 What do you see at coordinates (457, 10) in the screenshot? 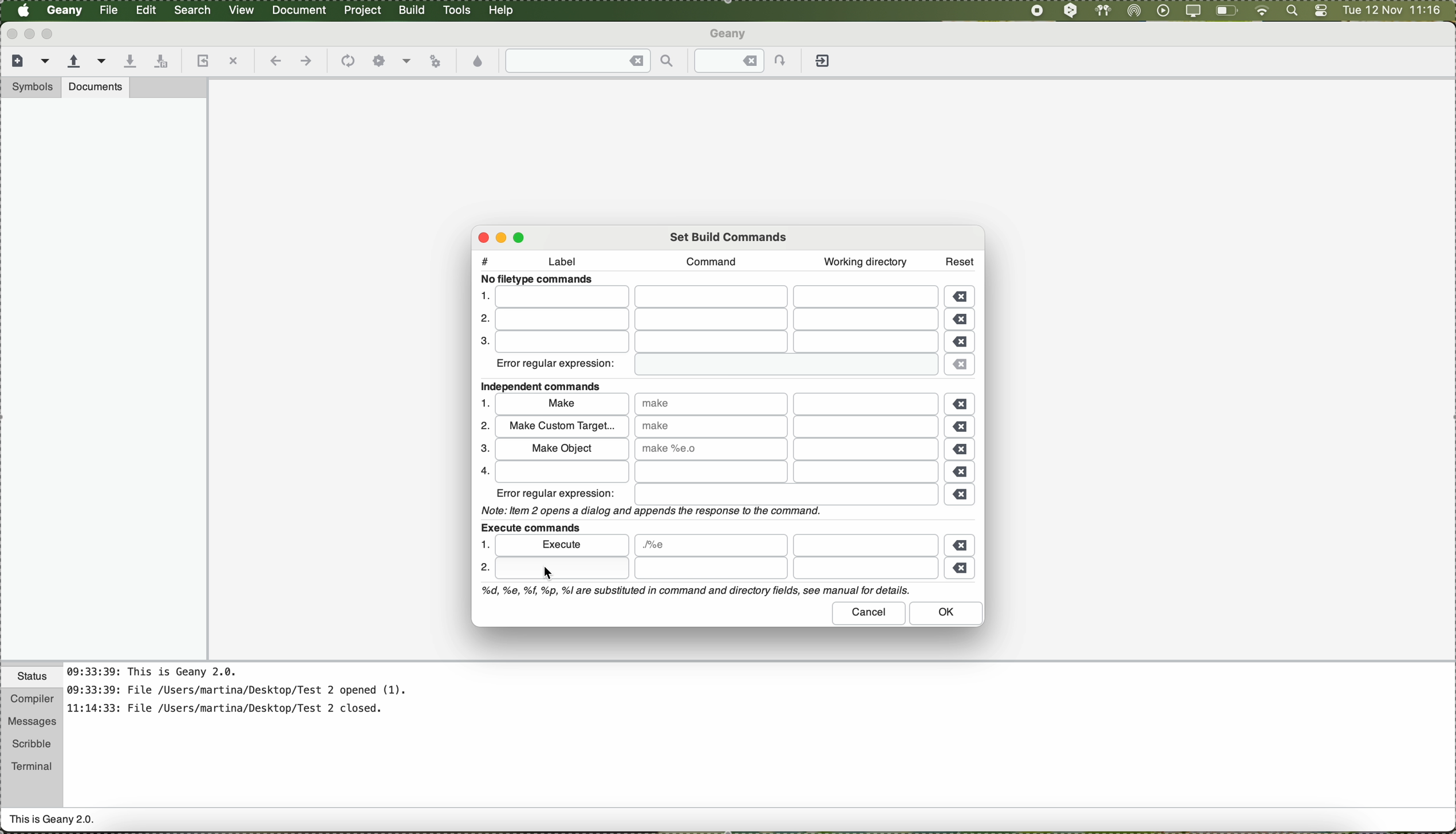
I see `tools` at bounding box center [457, 10].